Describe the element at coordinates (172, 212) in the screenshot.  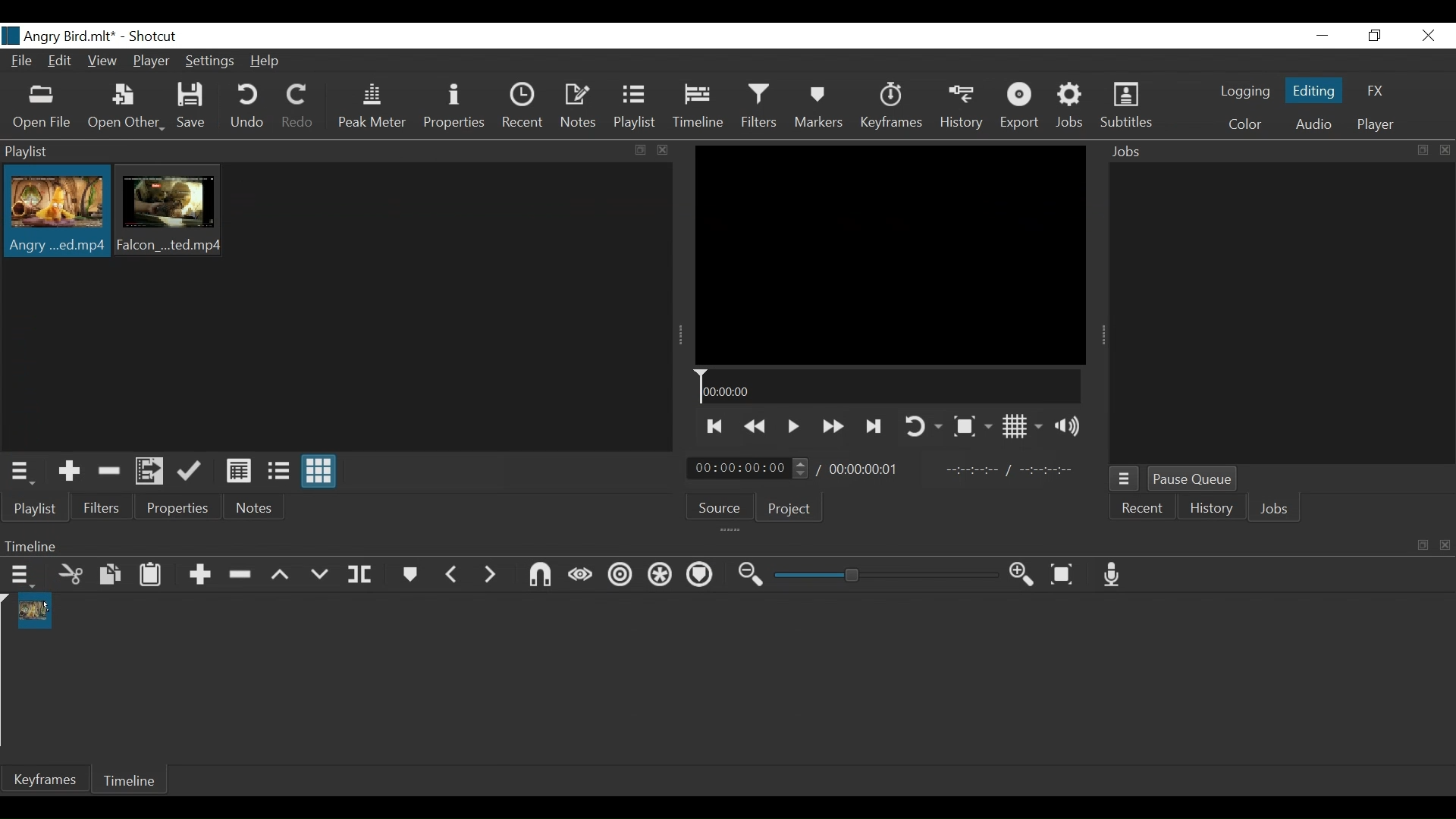
I see `Clip` at that location.